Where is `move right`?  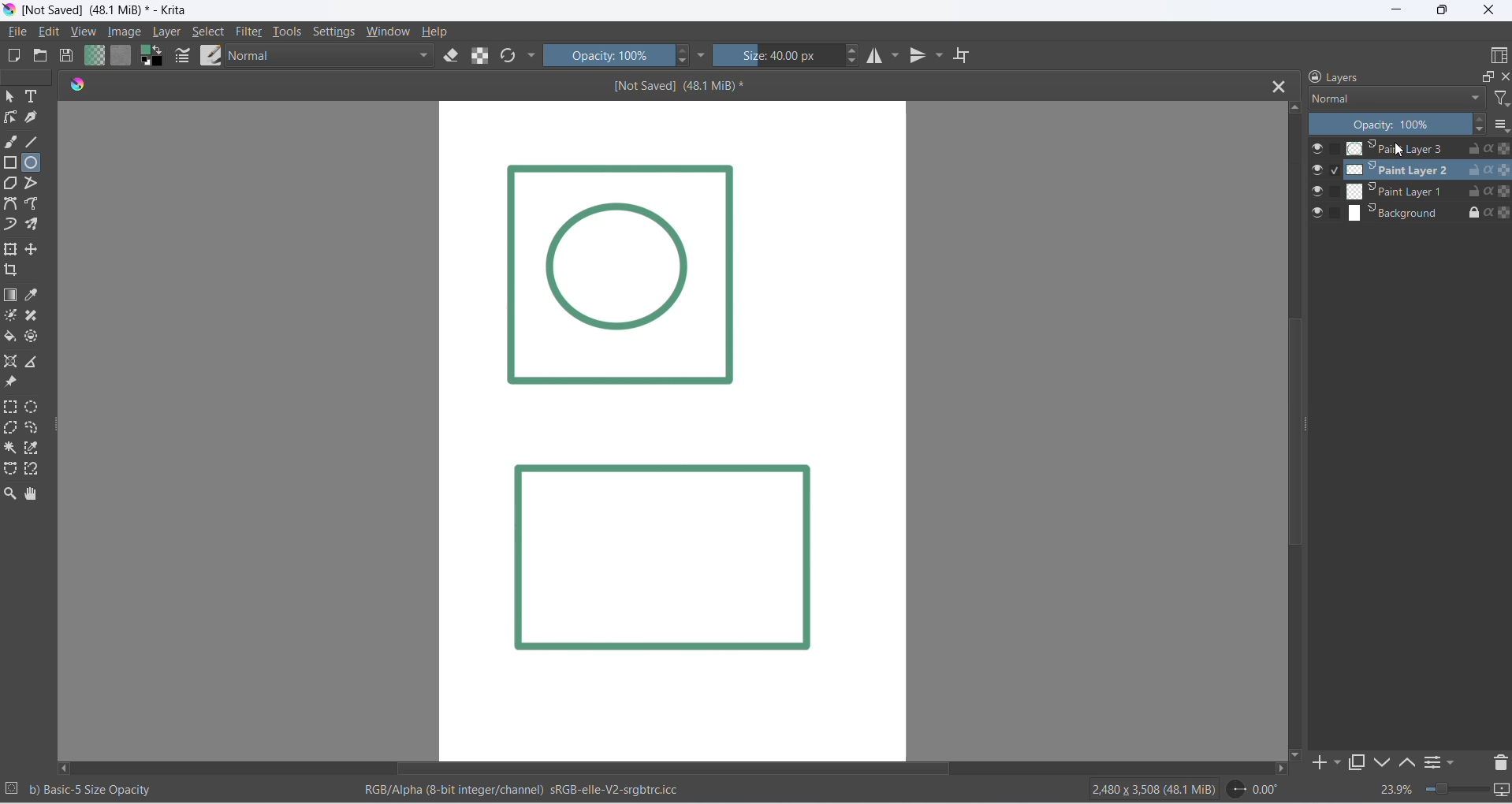 move right is located at coordinates (1279, 770).